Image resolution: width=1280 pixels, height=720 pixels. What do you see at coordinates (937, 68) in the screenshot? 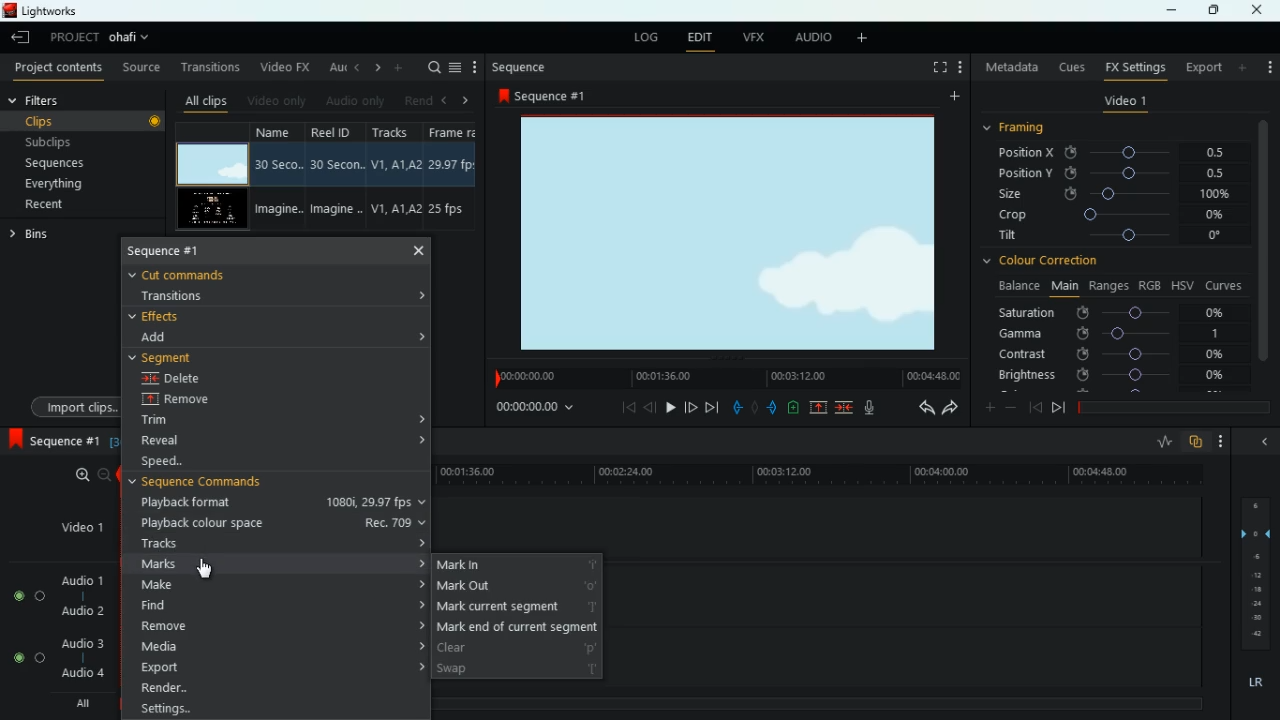
I see `full screen` at bounding box center [937, 68].